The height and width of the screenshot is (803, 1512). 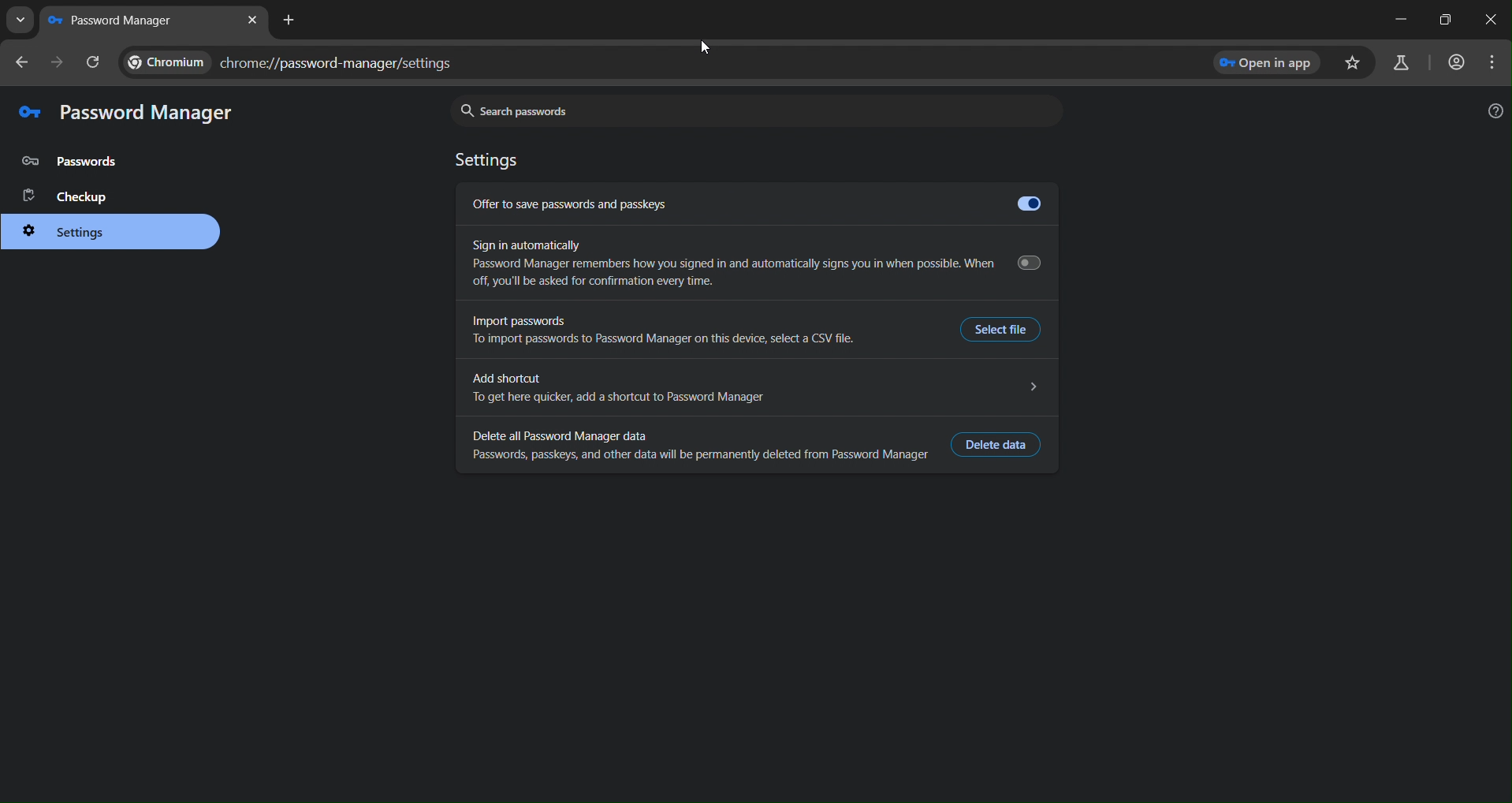 What do you see at coordinates (1270, 62) in the screenshot?
I see `open in app` at bounding box center [1270, 62].